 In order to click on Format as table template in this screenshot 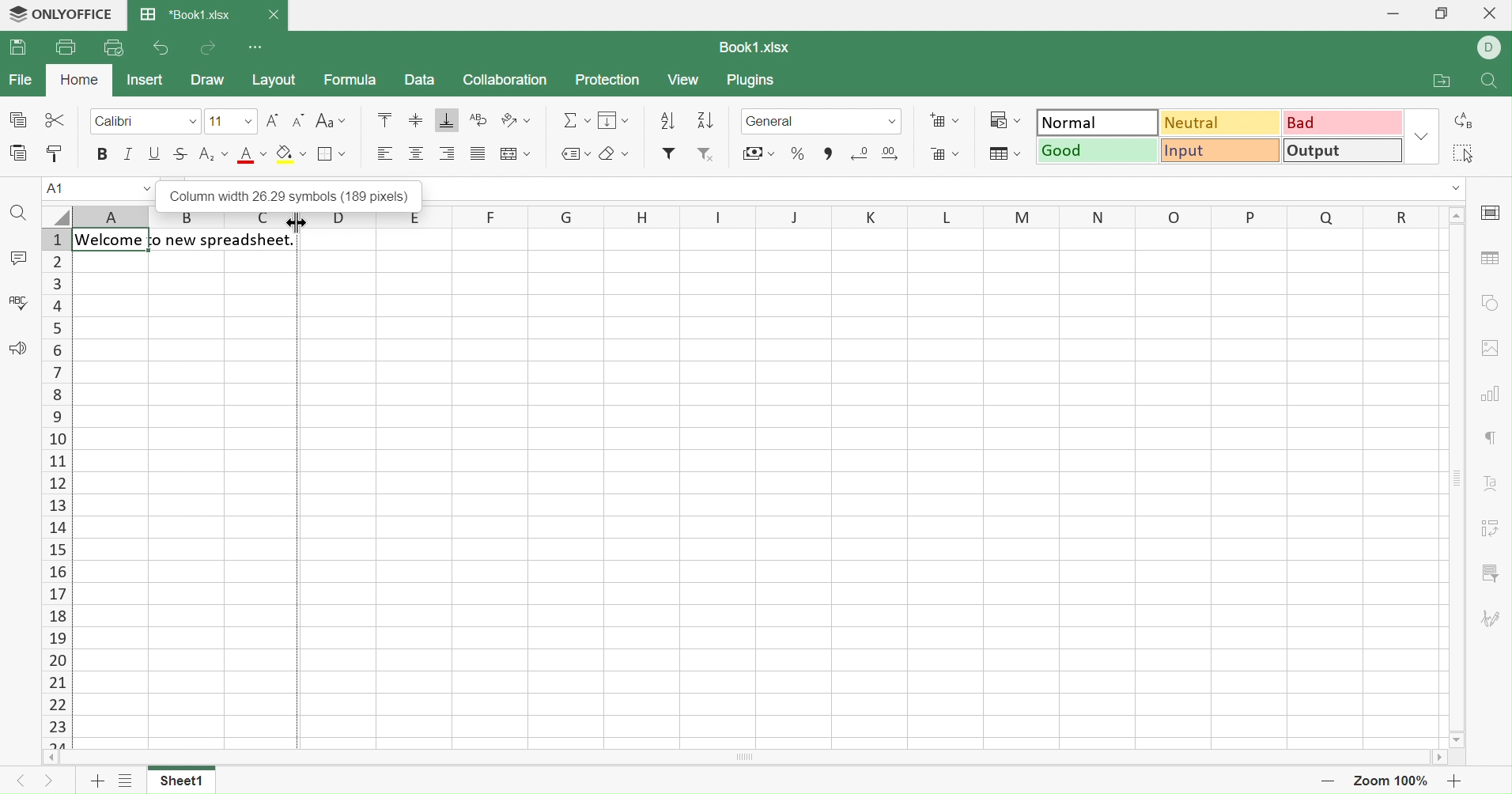, I will do `click(1004, 154)`.